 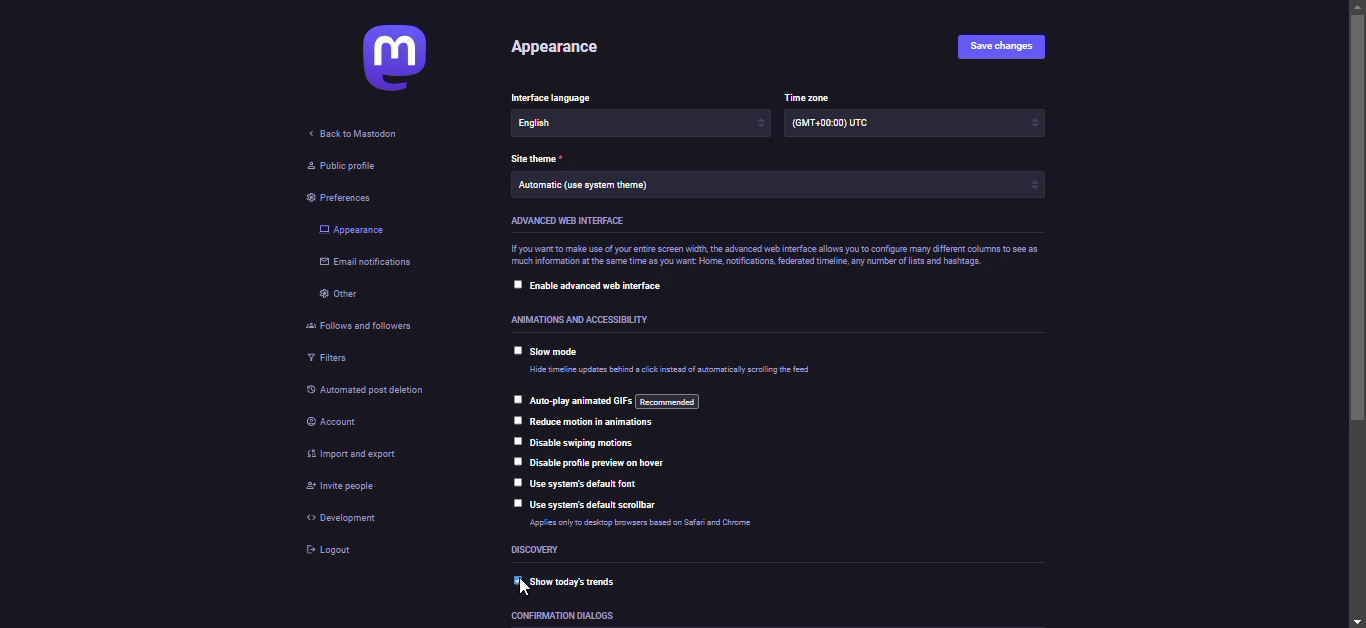 I want to click on mastodon, so click(x=389, y=59).